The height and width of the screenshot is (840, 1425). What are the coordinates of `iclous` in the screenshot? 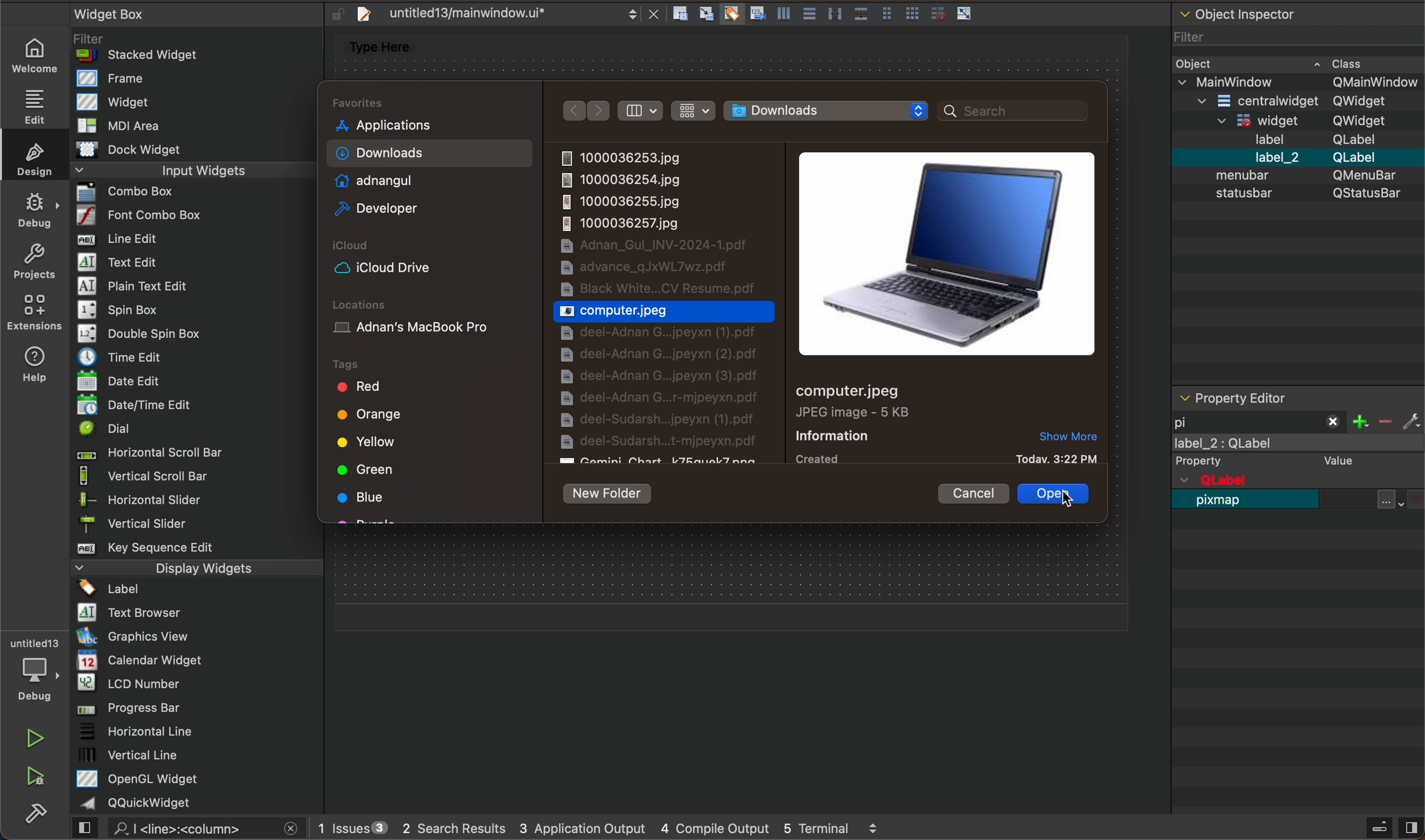 It's located at (358, 247).